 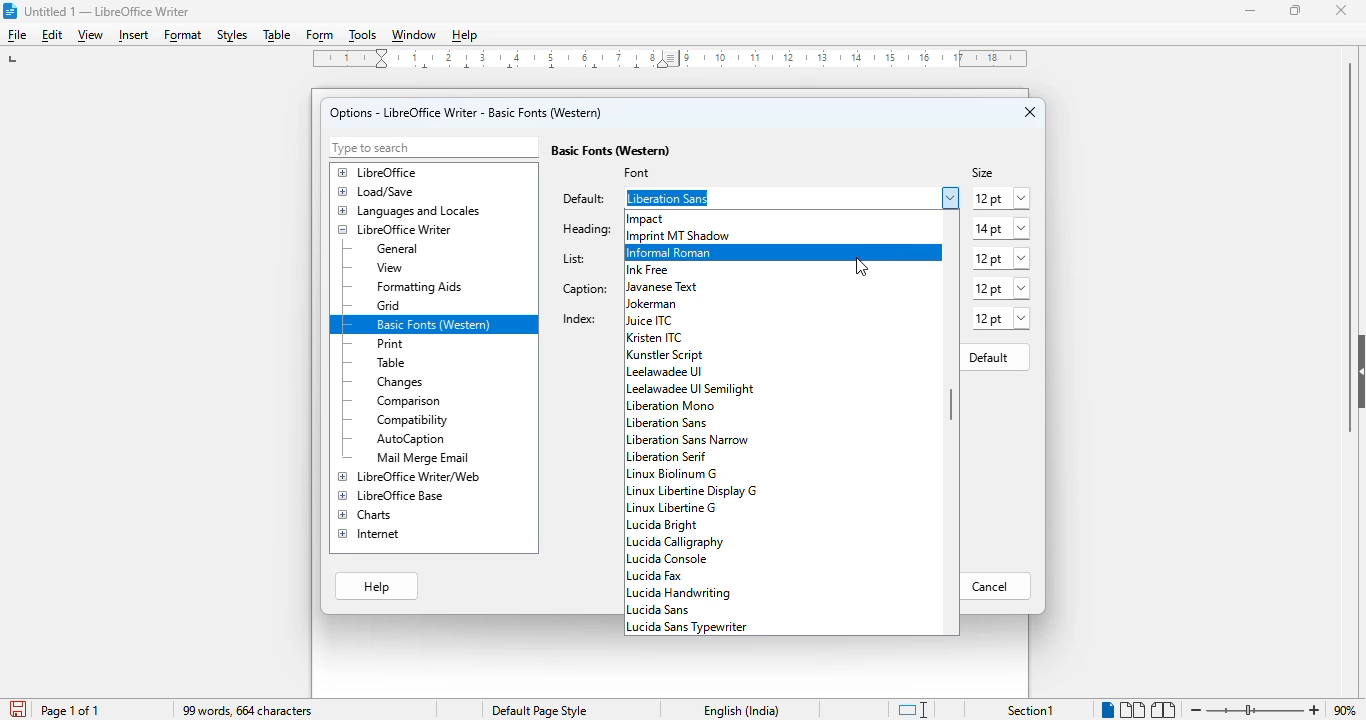 What do you see at coordinates (134, 37) in the screenshot?
I see `insert` at bounding box center [134, 37].